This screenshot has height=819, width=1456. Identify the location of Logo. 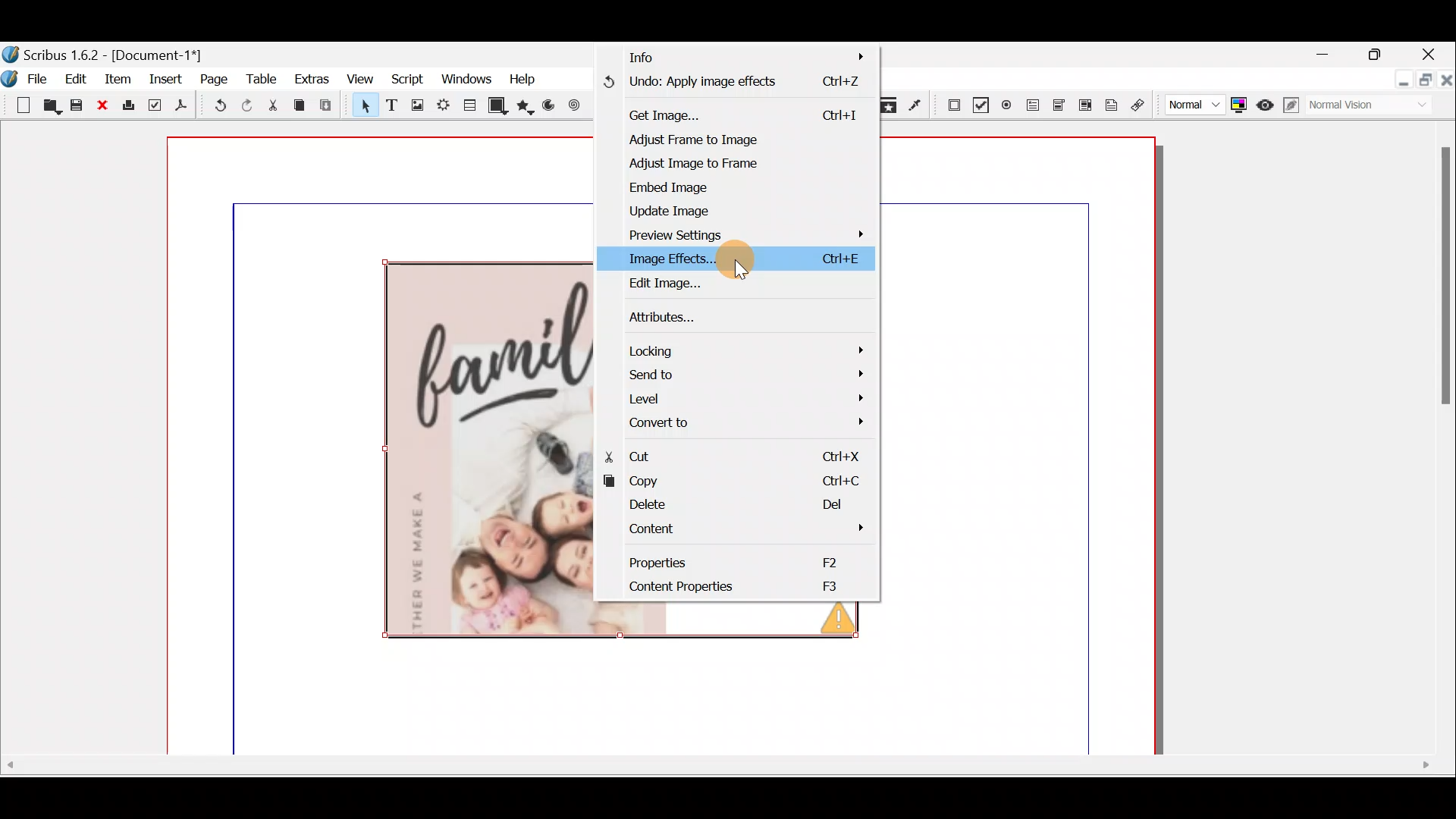
(12, 78).